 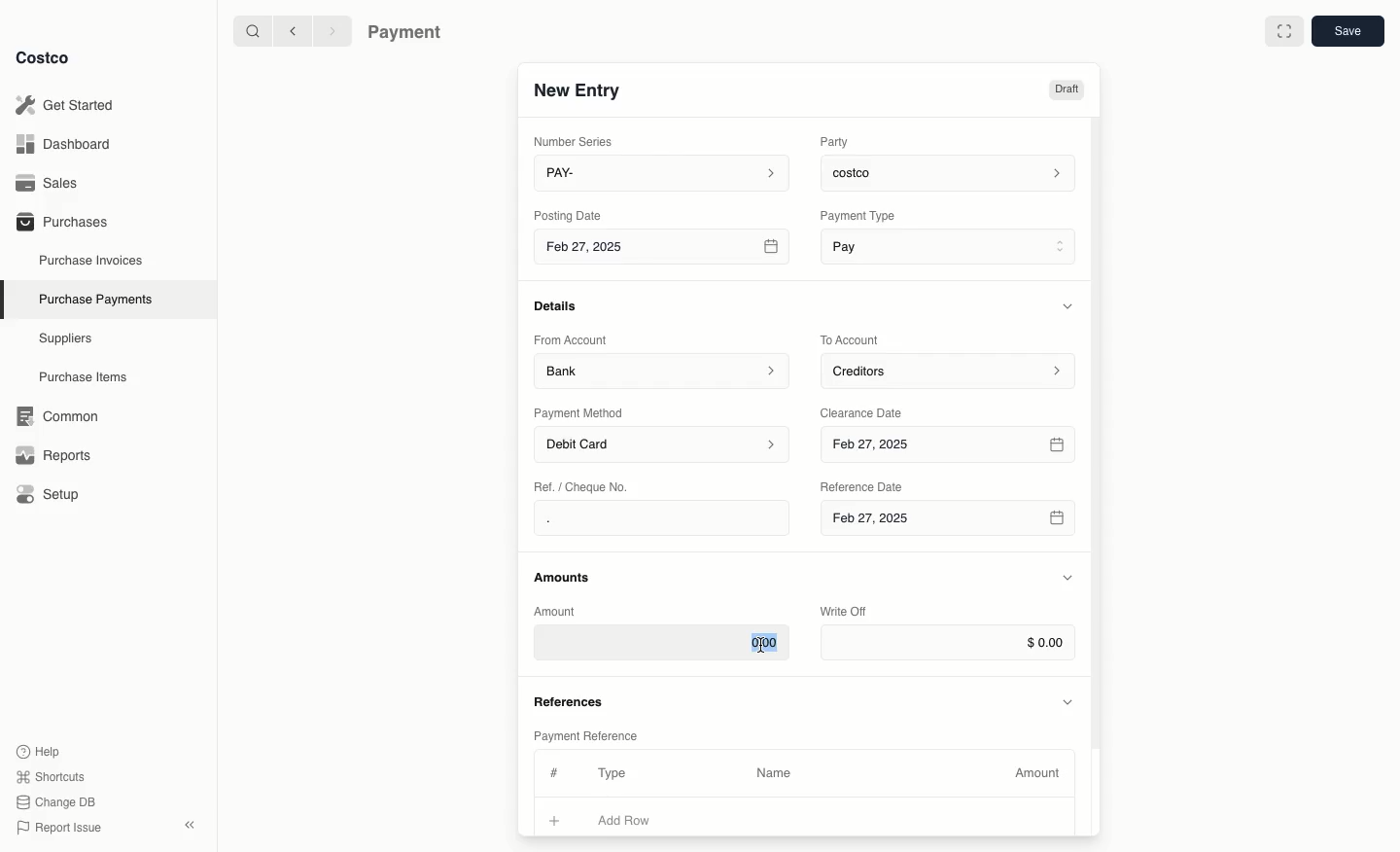 What do you see at coordinates (564, 577) in the screenshot?
I see `Amounts` at bounding box center [564, 577].